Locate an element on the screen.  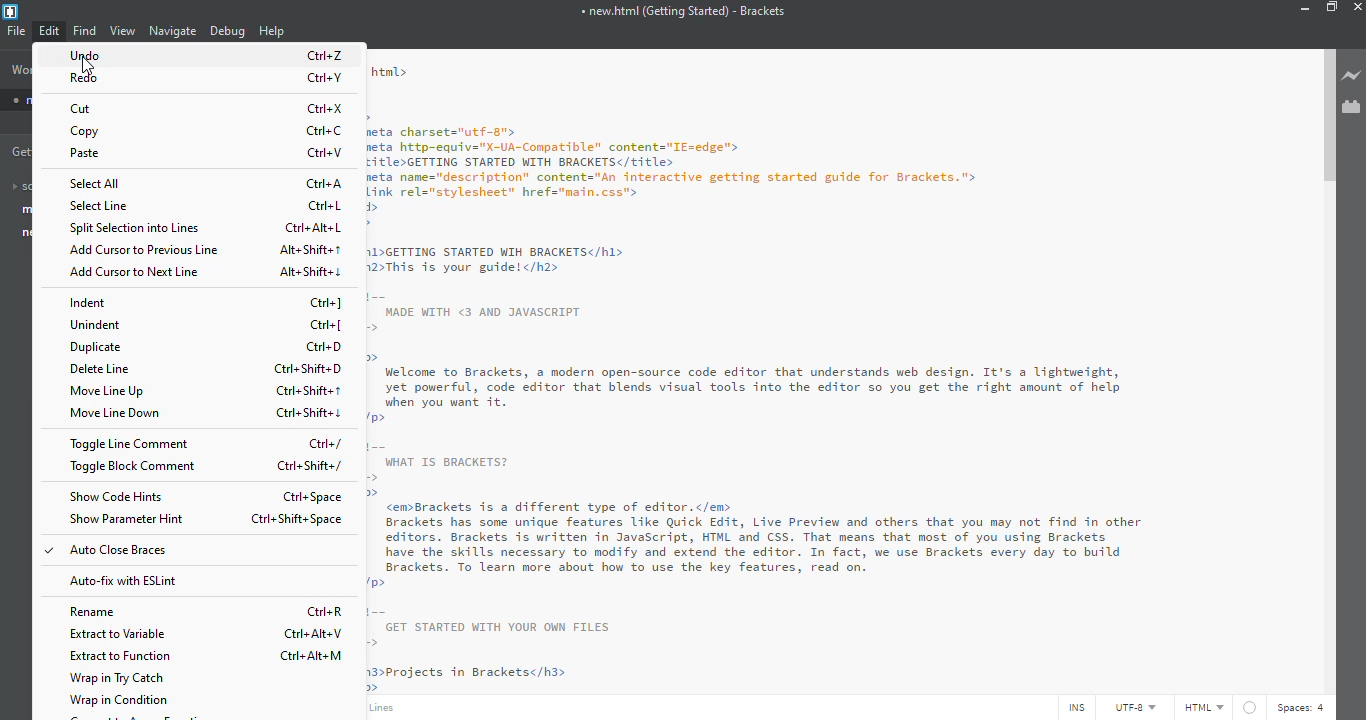
extract to function is located at coordinates (125, 656).